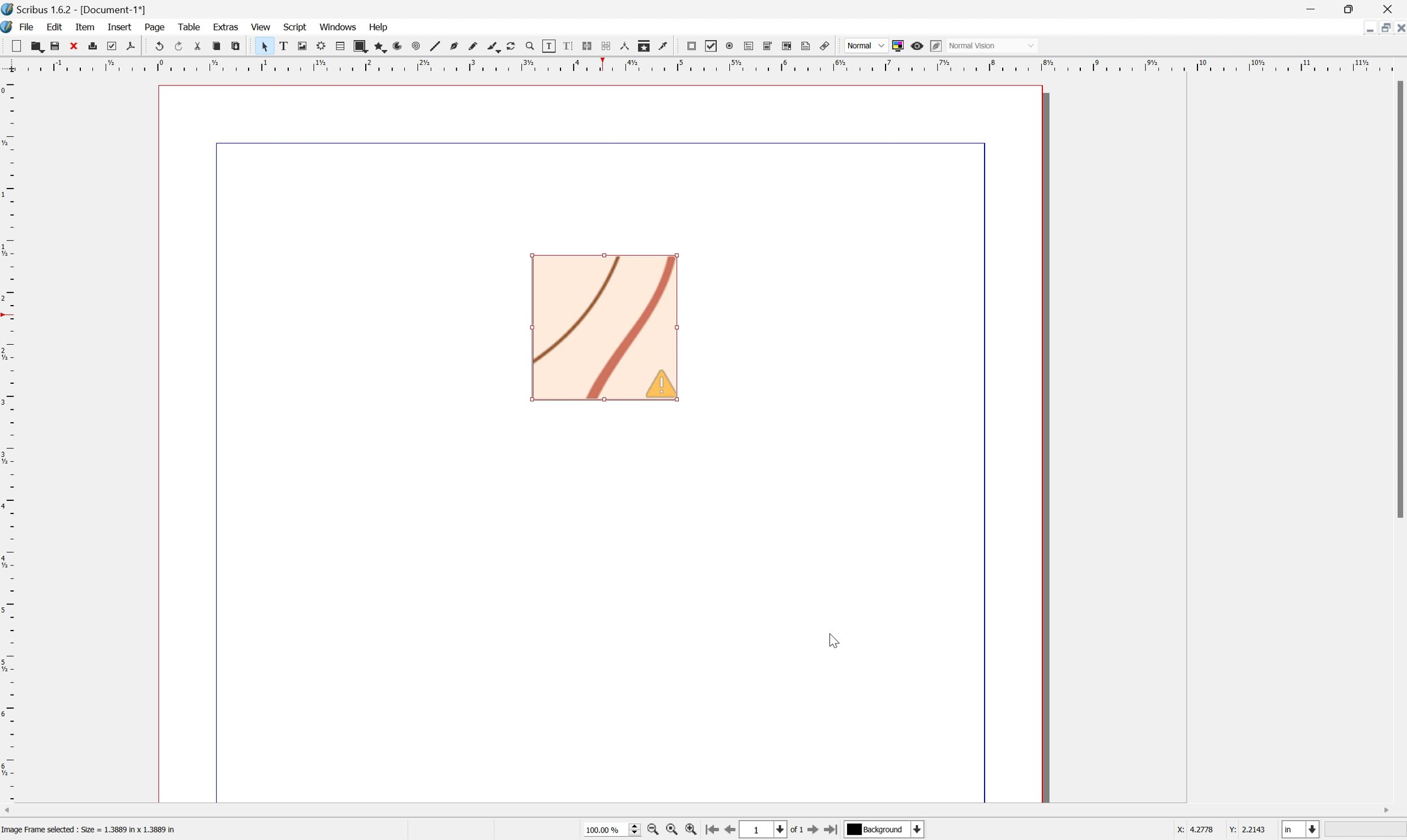  I want to click on Page, so click(155, 27).